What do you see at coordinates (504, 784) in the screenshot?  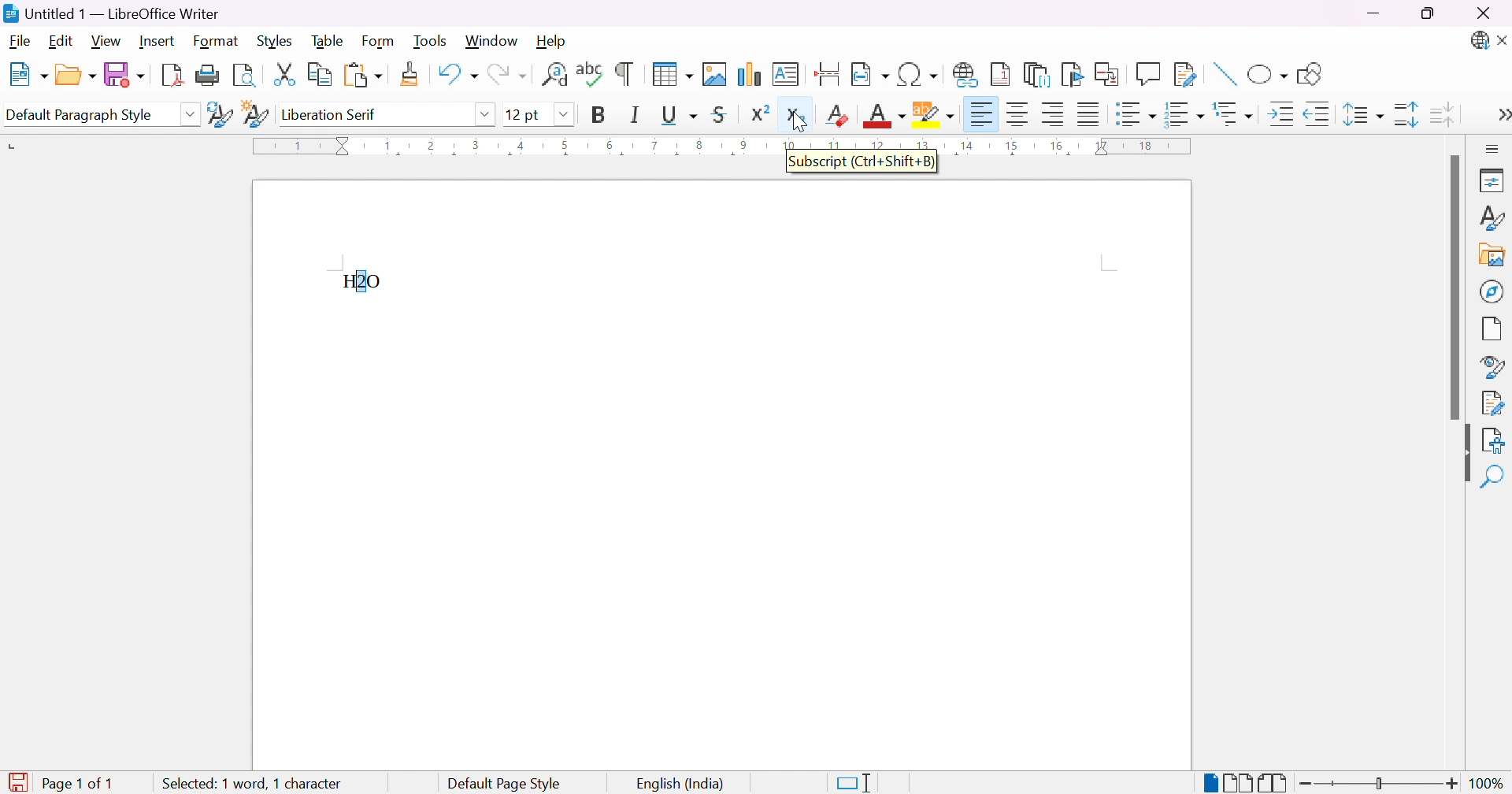 I see `Default page style` at bounding box center [504, 784].